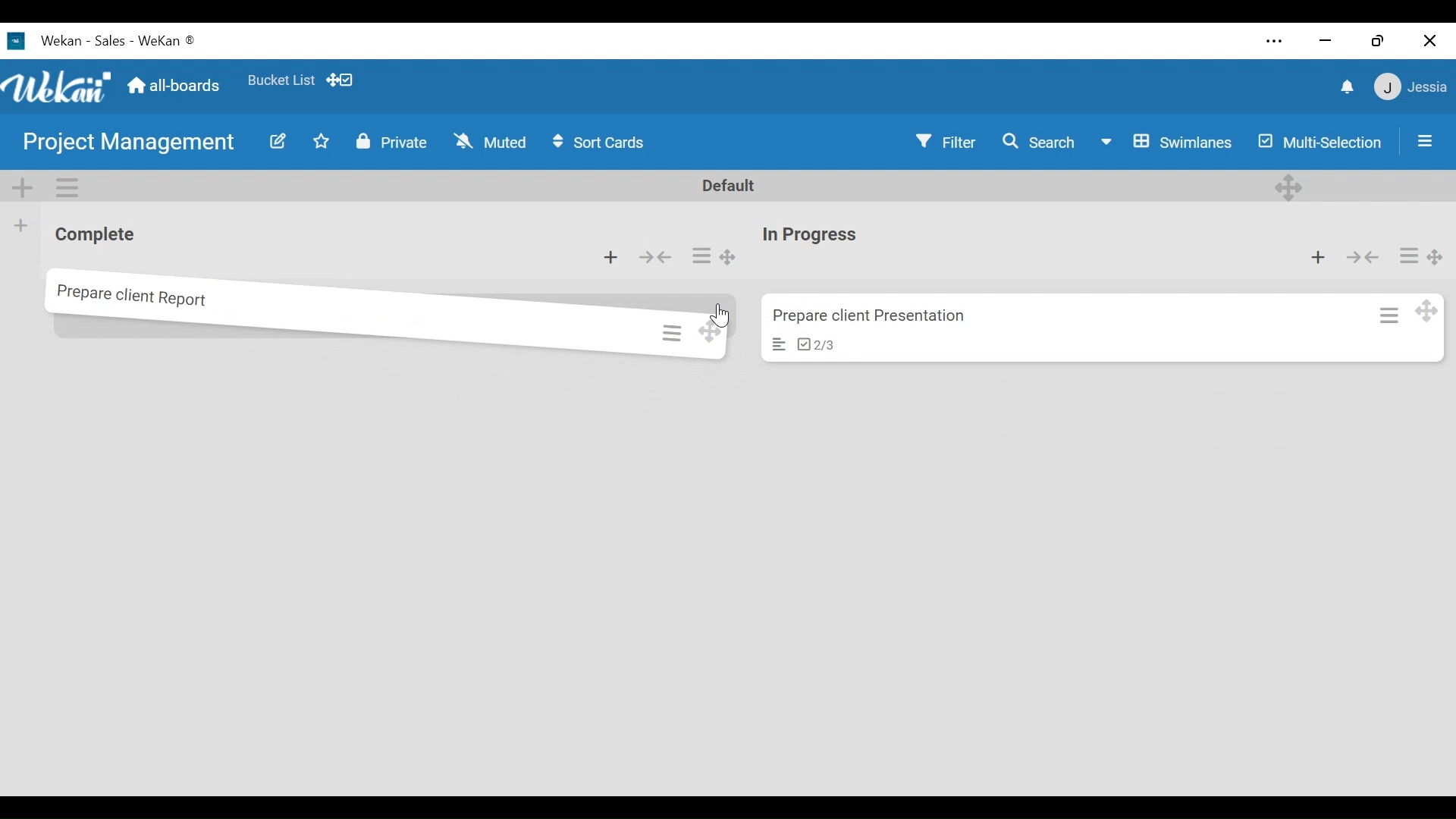 Image resolution: width=1456 pixels, height=819 pixels. Describe the element at coordinates (281, 79) in the screenshot. I see `Bucket List` at that location.